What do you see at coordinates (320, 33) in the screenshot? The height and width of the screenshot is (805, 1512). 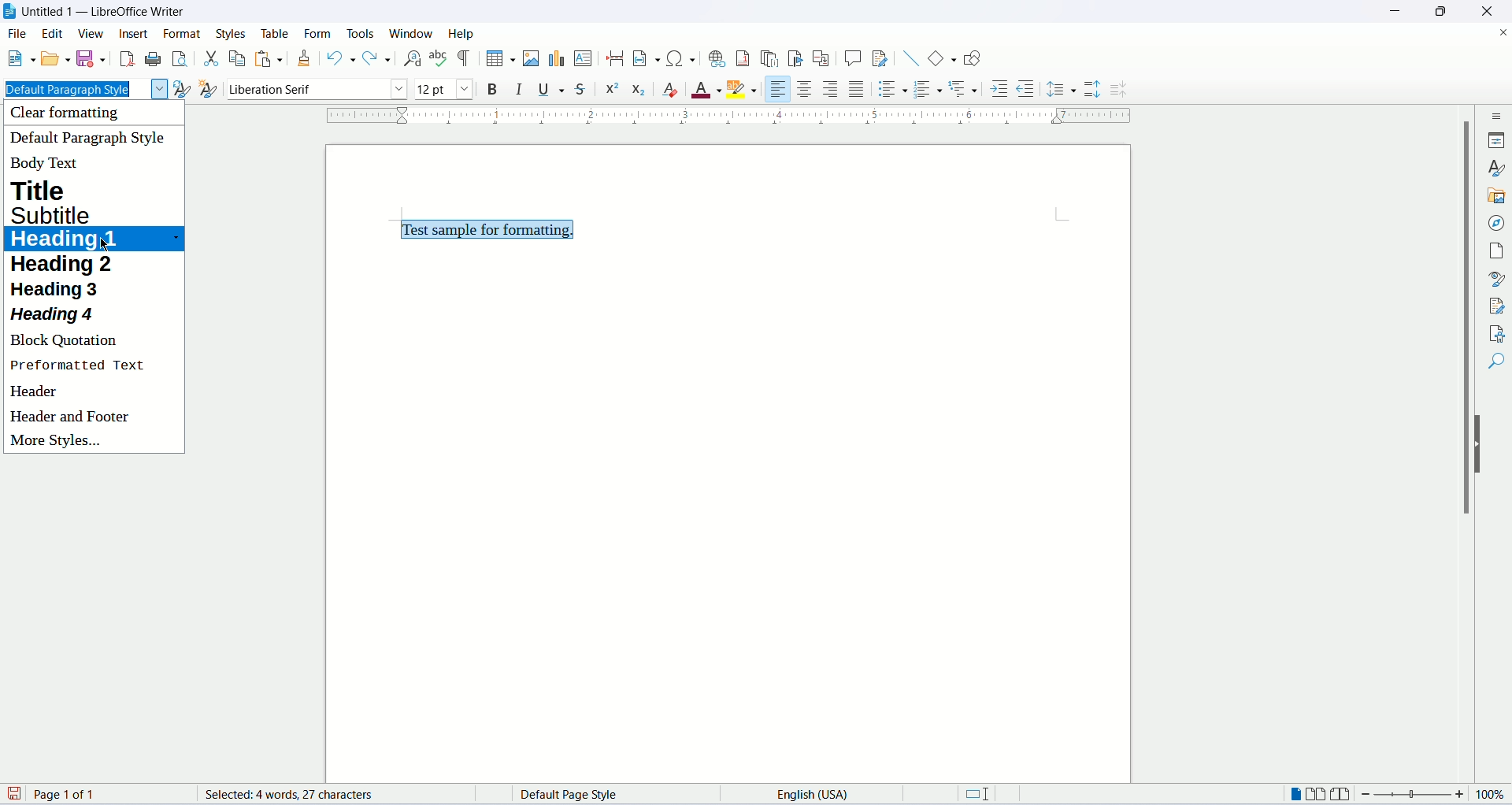 I see `form` at bounding box center [320, 33].